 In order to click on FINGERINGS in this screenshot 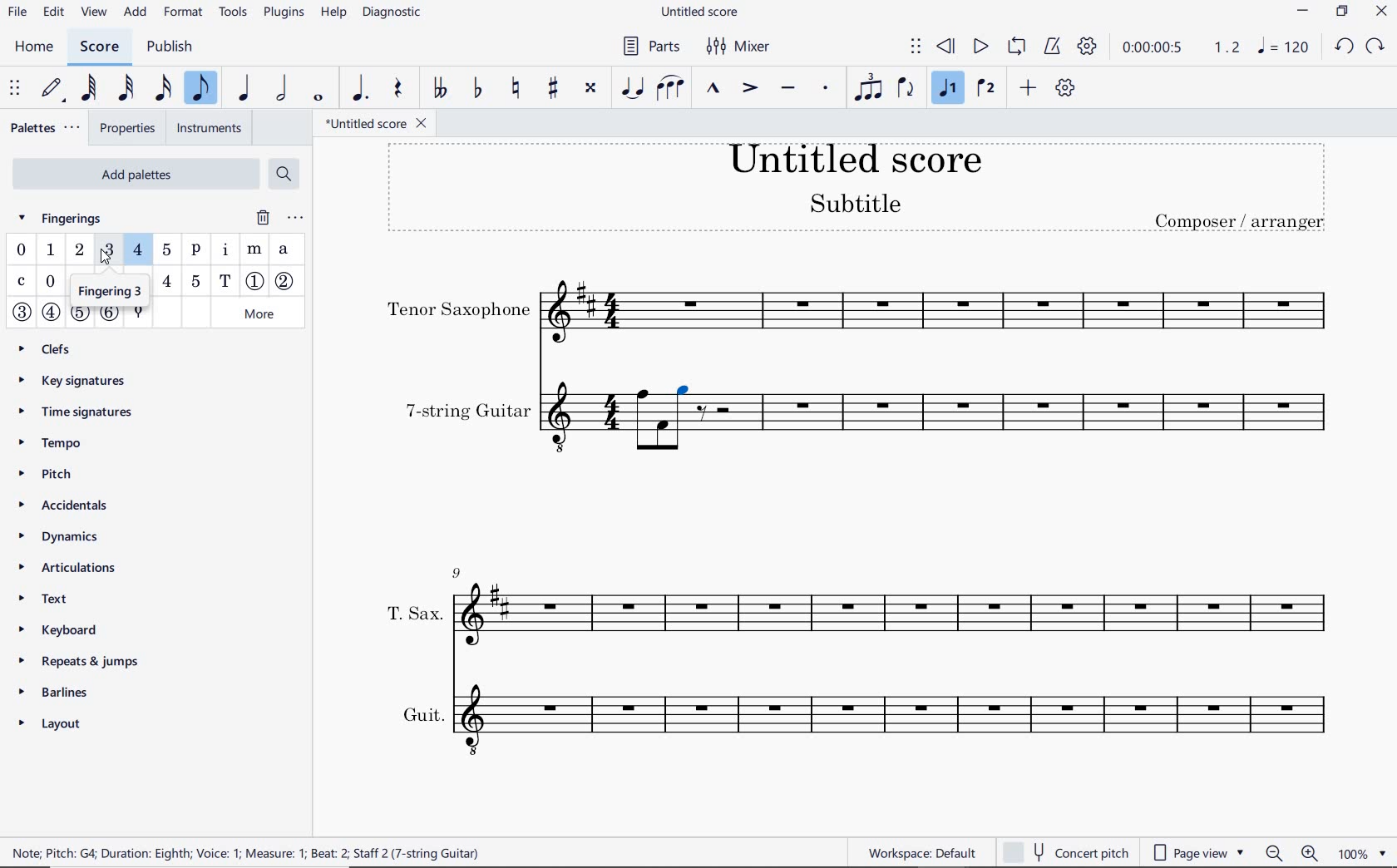, I will do `click(70, 217)`.